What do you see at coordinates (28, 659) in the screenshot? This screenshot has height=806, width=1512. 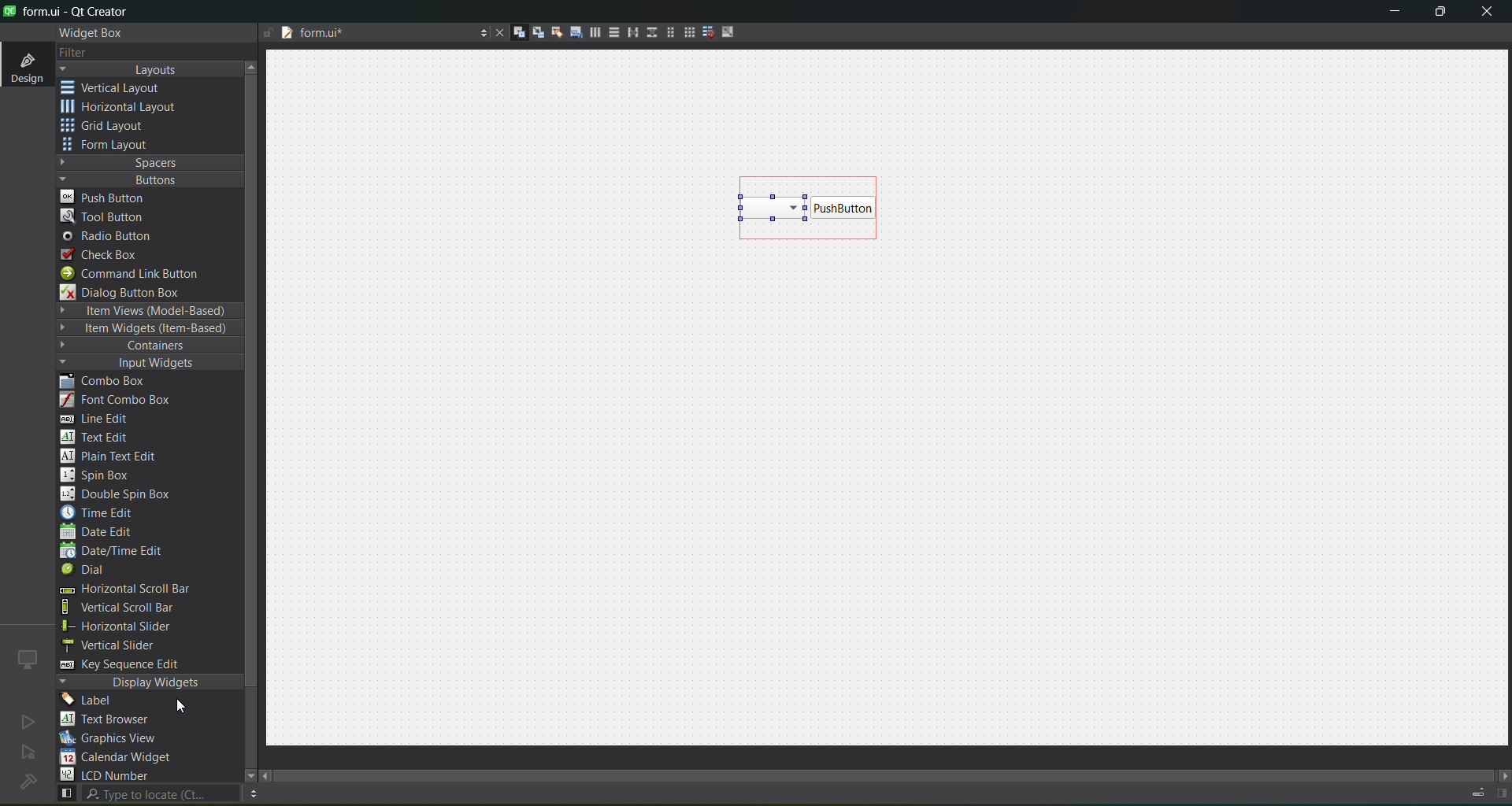 I see `icon` at bounding box center [28, 659].